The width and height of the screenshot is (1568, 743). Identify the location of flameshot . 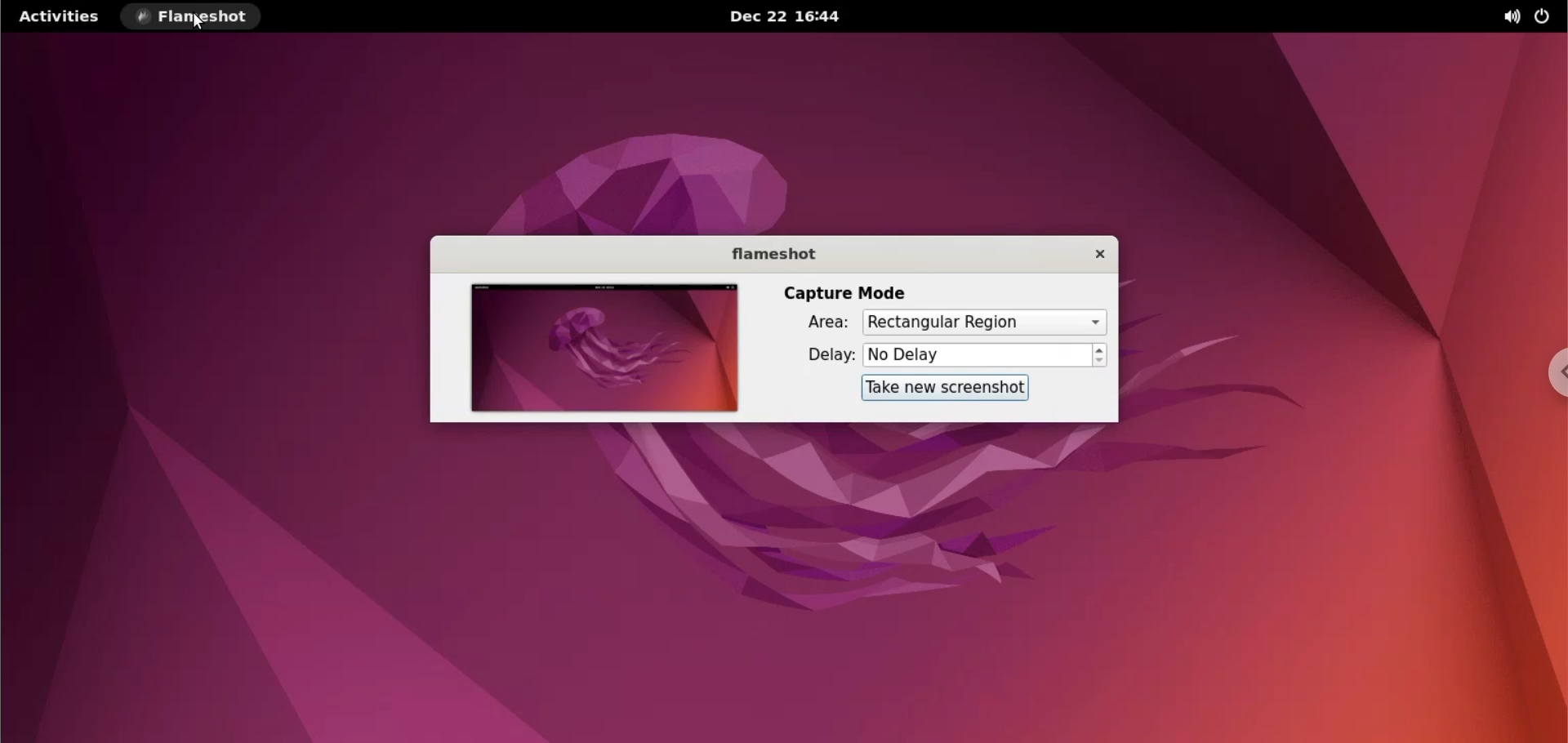
(771, 252).